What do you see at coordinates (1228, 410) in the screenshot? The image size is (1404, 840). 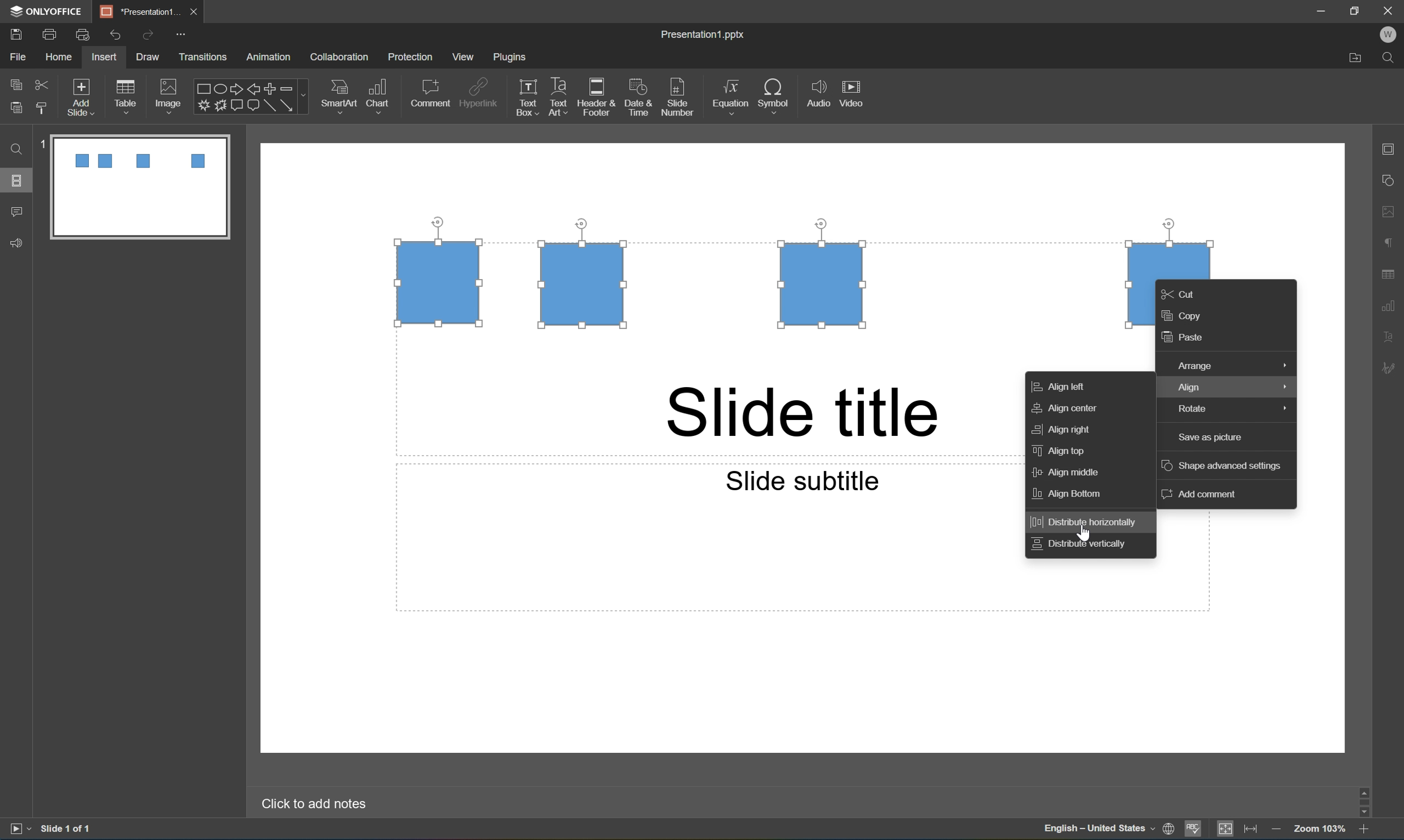 I see `rotate` at bounding box center [1228, 410].